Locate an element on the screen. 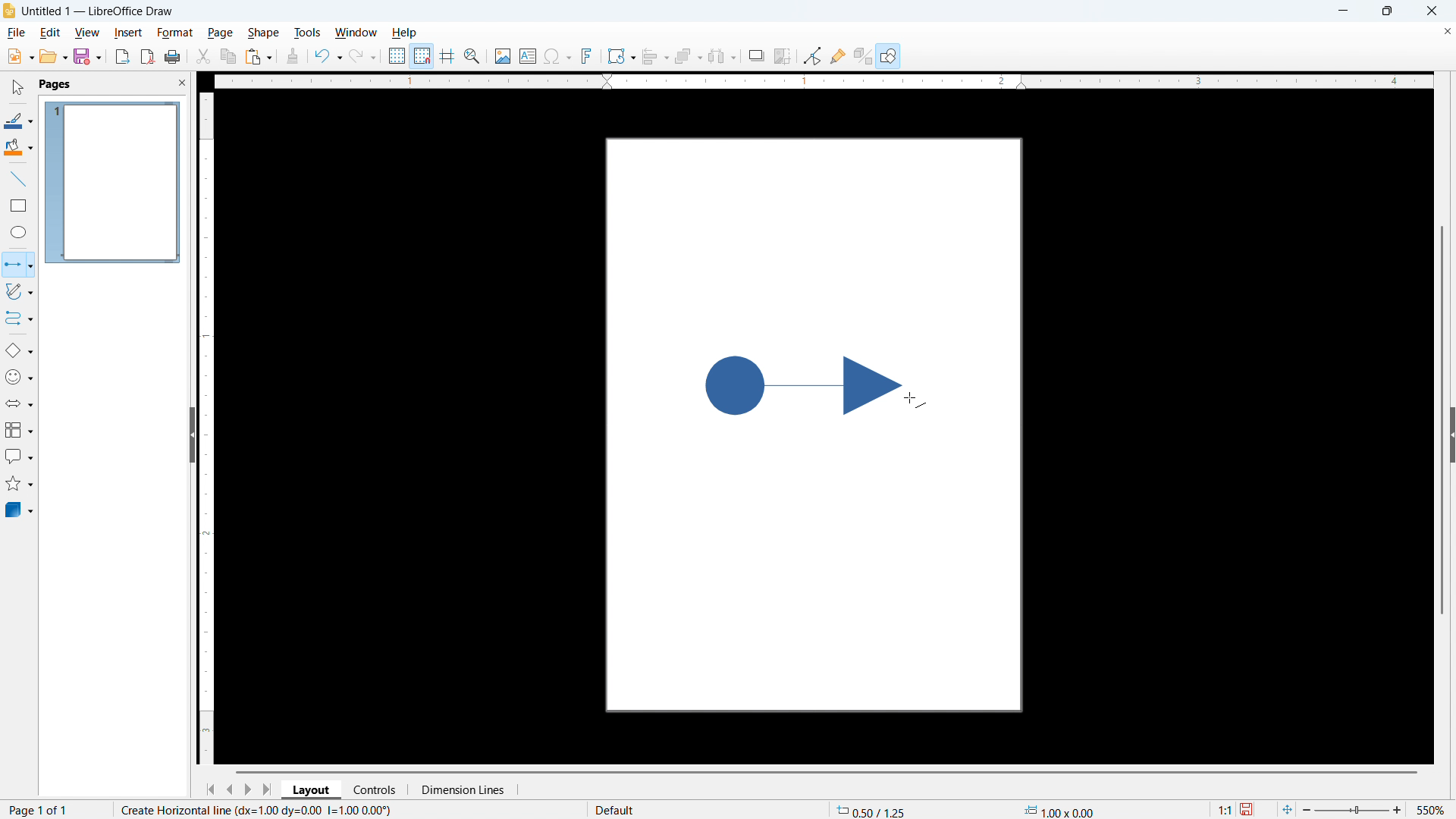 The image size is (1456, 819). Flow chart  is located at coordinates (19, 430).